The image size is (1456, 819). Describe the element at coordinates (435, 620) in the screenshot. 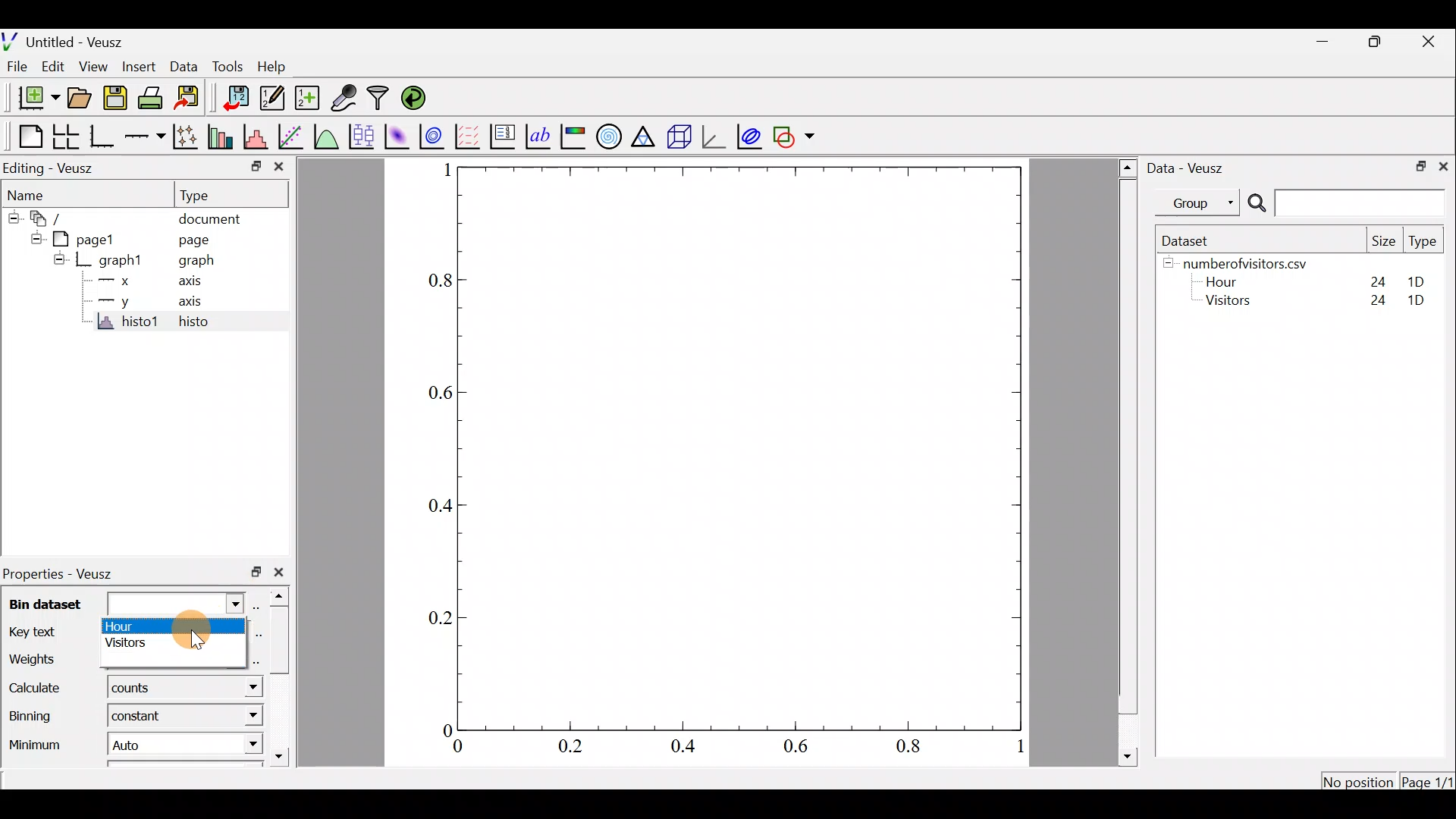

I see `0.2` at that location.